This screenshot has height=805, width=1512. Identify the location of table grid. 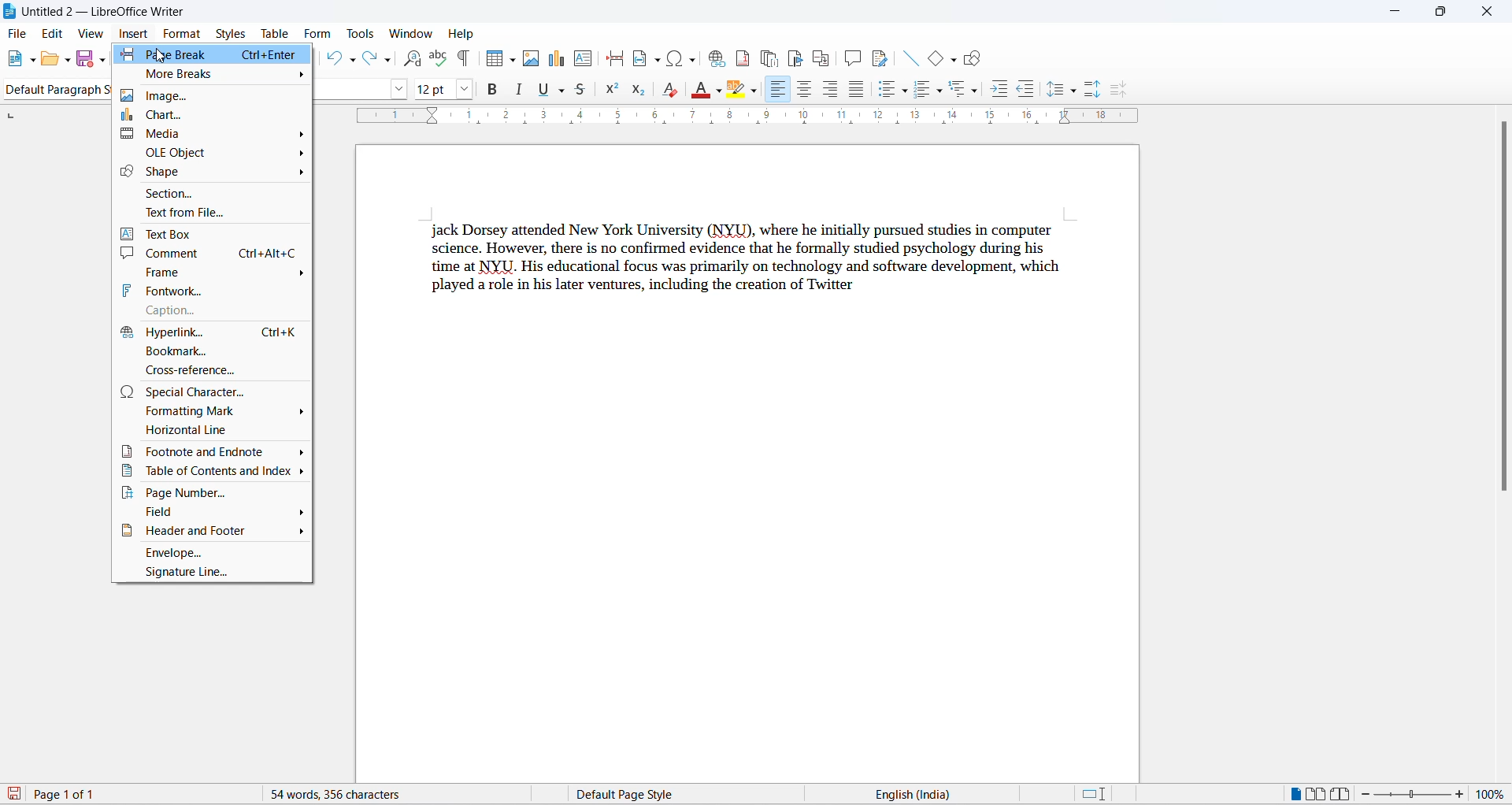
(513, 61).